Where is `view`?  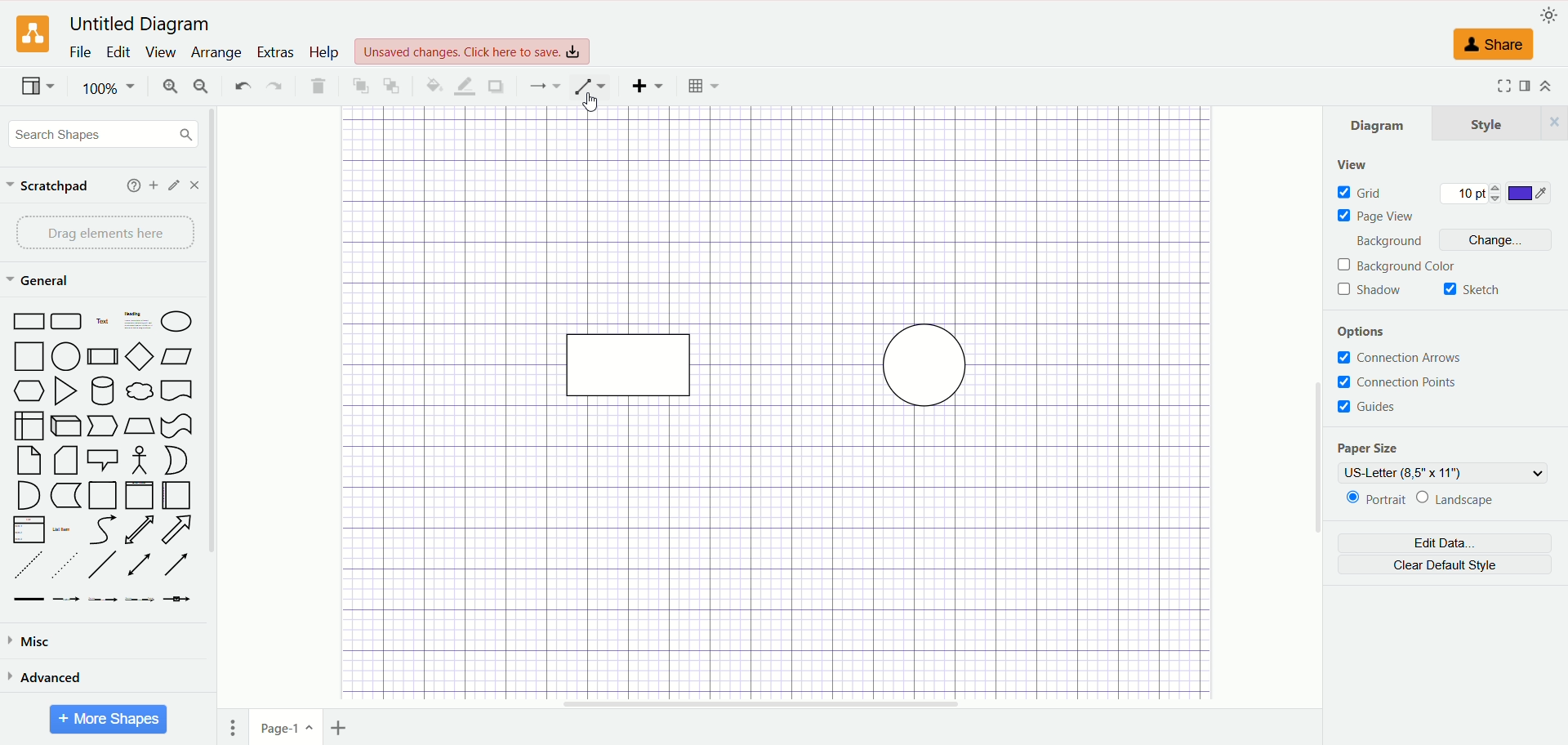 view is located at coordinates (37, 86).